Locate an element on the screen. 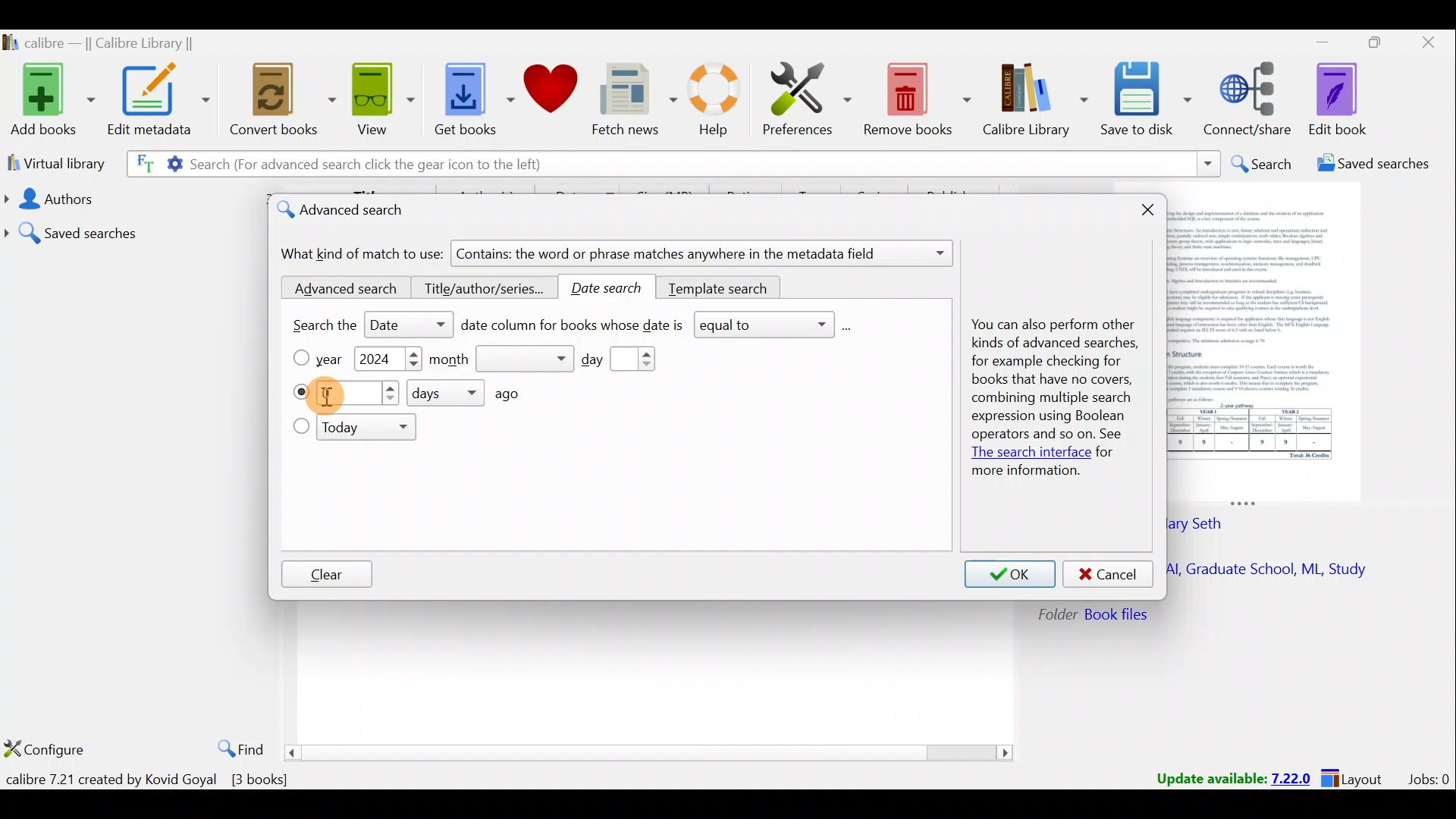 The width and height of the screenshot is (1456, 819). Saved searches is located at coordinates (133, 227).